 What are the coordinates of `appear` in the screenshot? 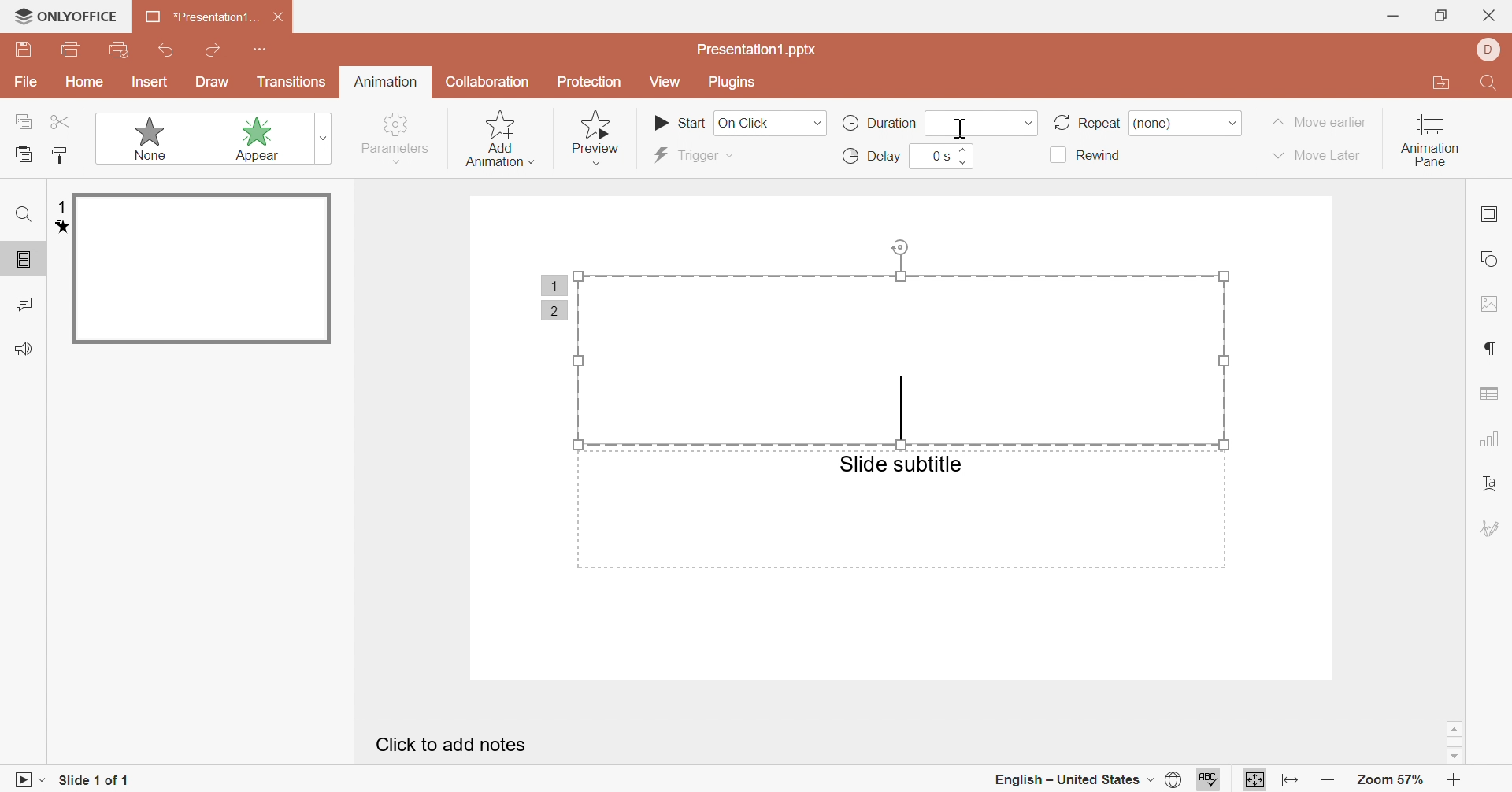 It's located at (255, 140).